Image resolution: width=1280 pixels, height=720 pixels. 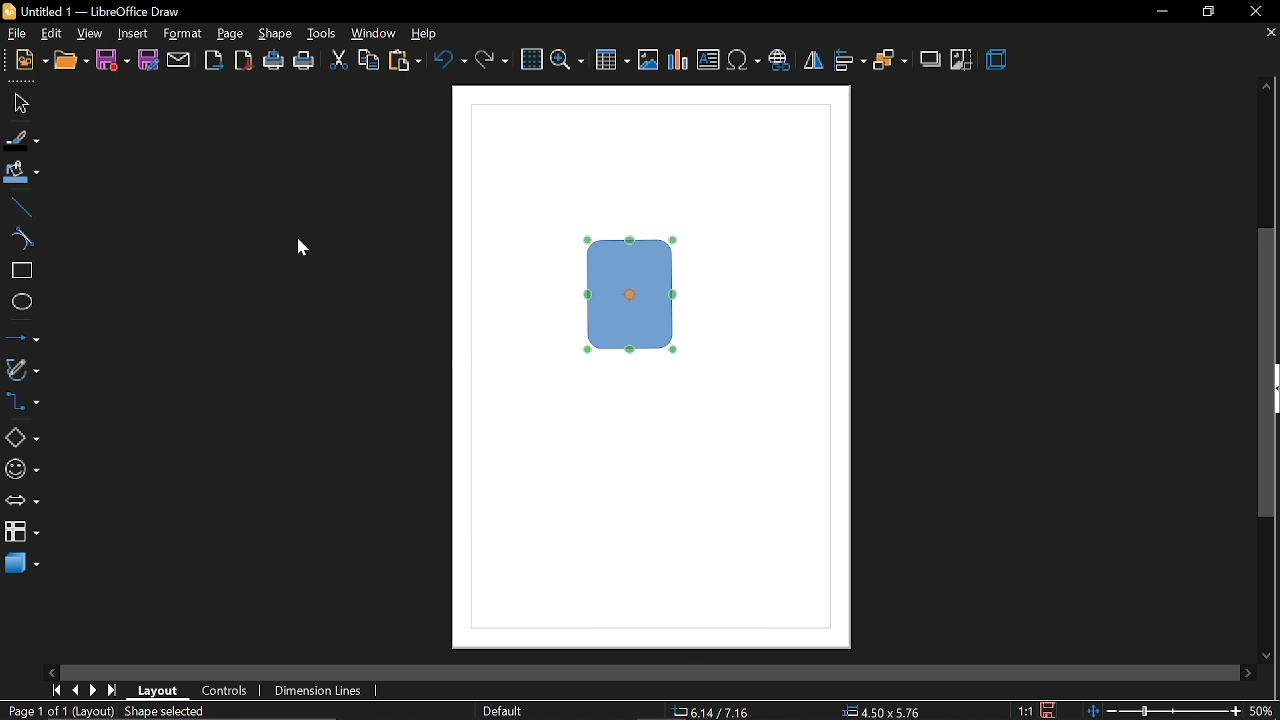 What do you see at coordinates (213, 60) in the screenshot?
I see `export` at bounding box center [213, 60].